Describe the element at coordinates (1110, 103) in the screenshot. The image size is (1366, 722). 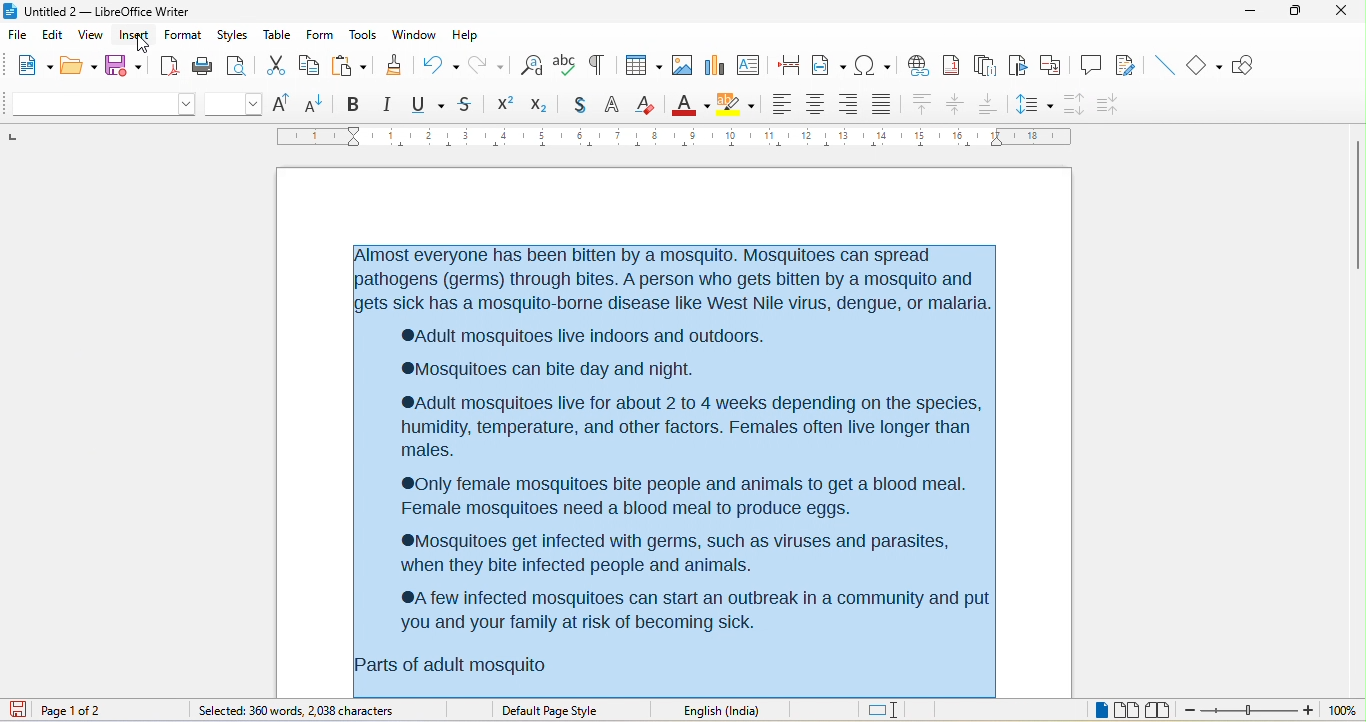
I see `decrease paragraph spacing` at that location.